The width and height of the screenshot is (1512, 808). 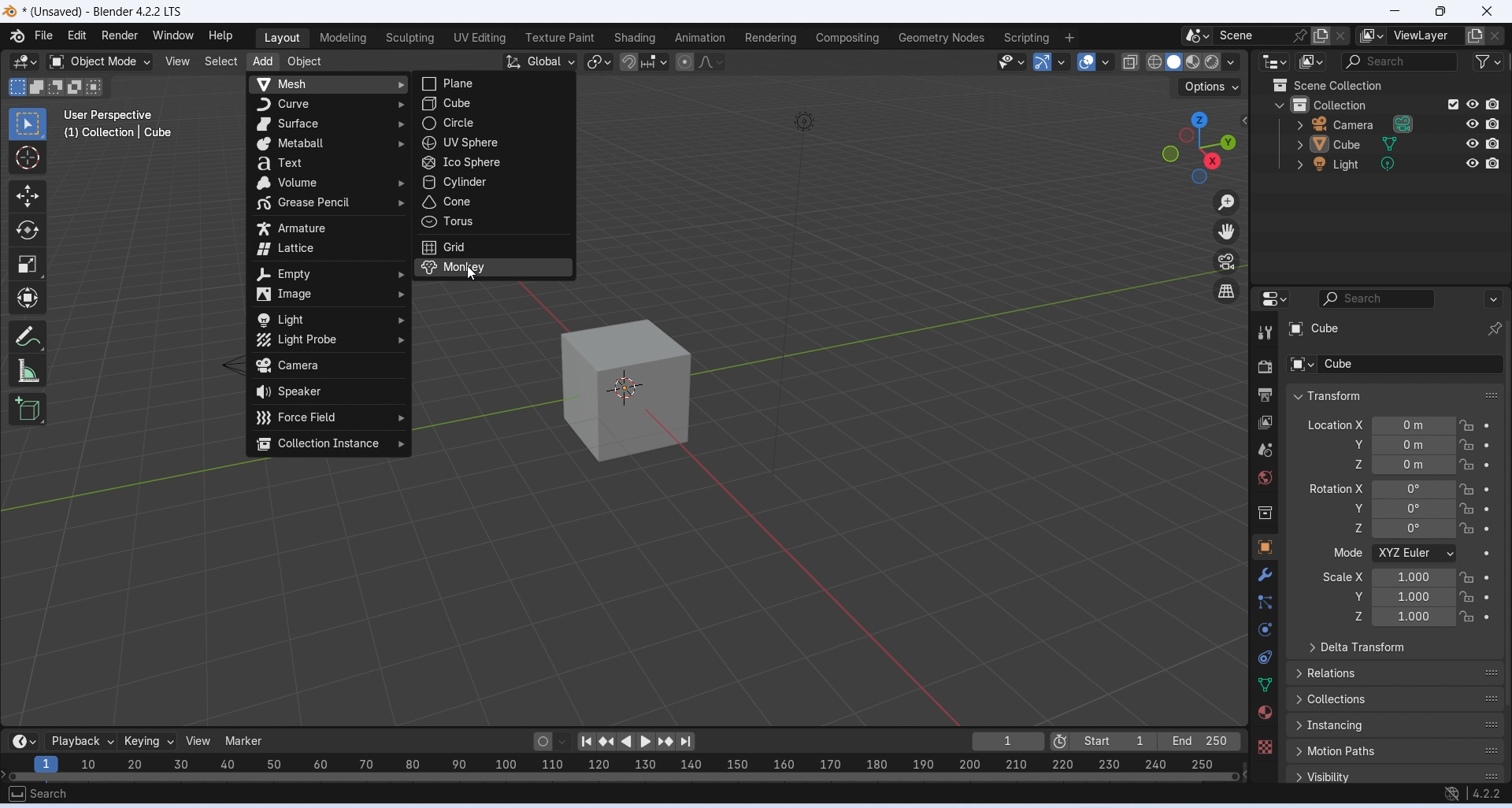 What do you see at coordinates (1226, 261) in the screenshot?
I see `Toggle the camera view` at bounding box center [1226, 261].